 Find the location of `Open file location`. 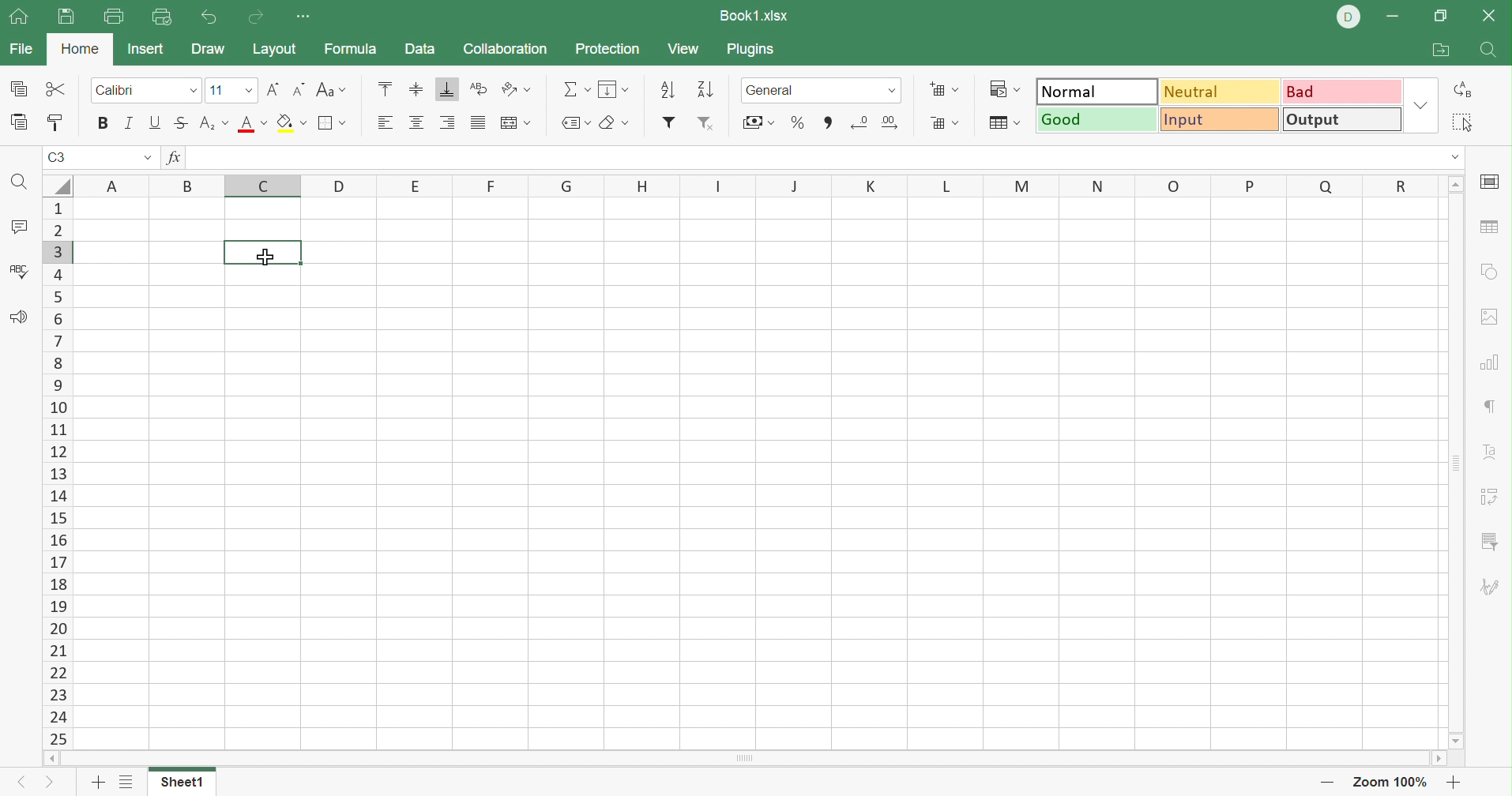

Open file location is located at coordinates (1442, 50).